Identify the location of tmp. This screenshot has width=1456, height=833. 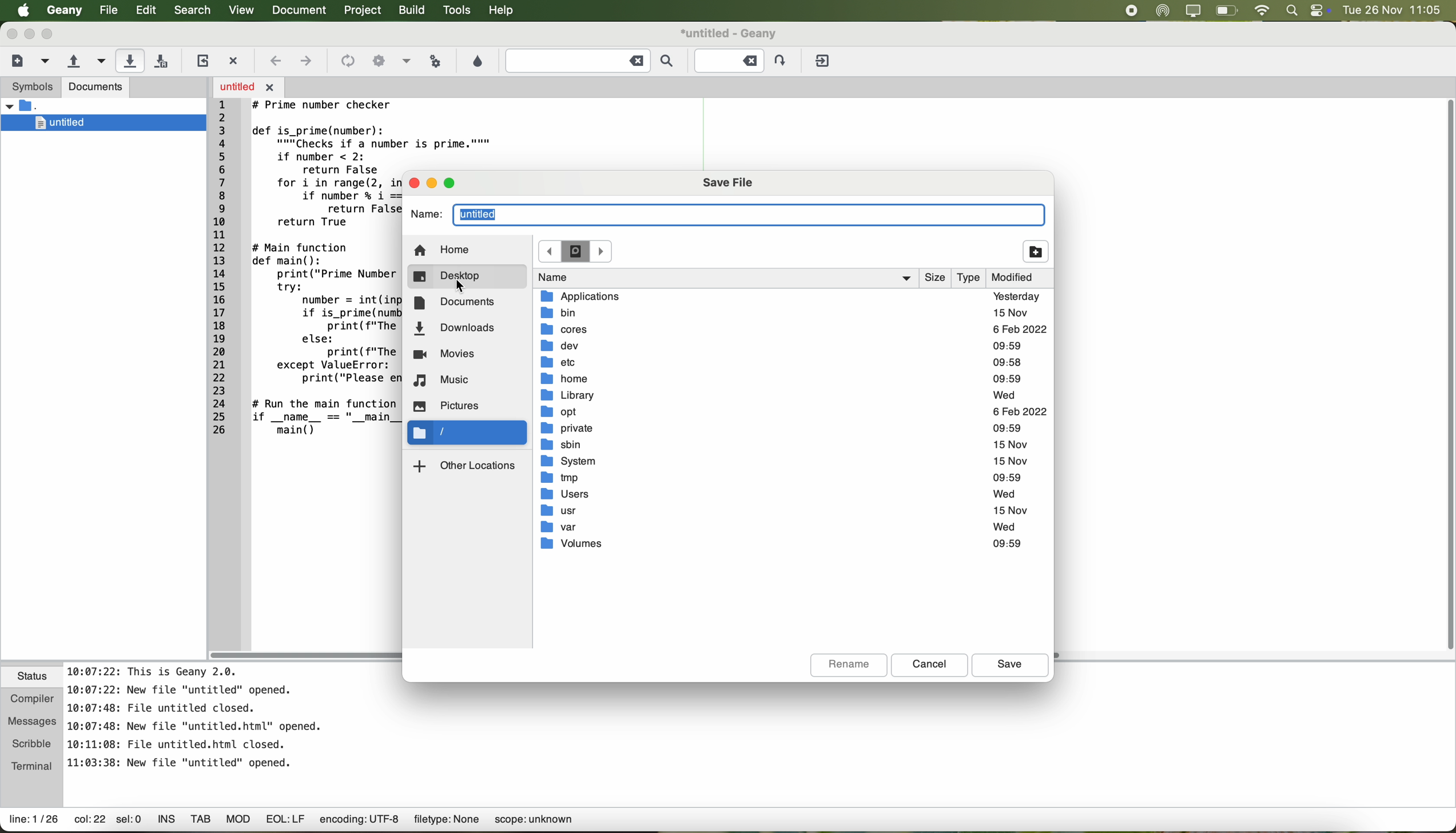
(781, 477).